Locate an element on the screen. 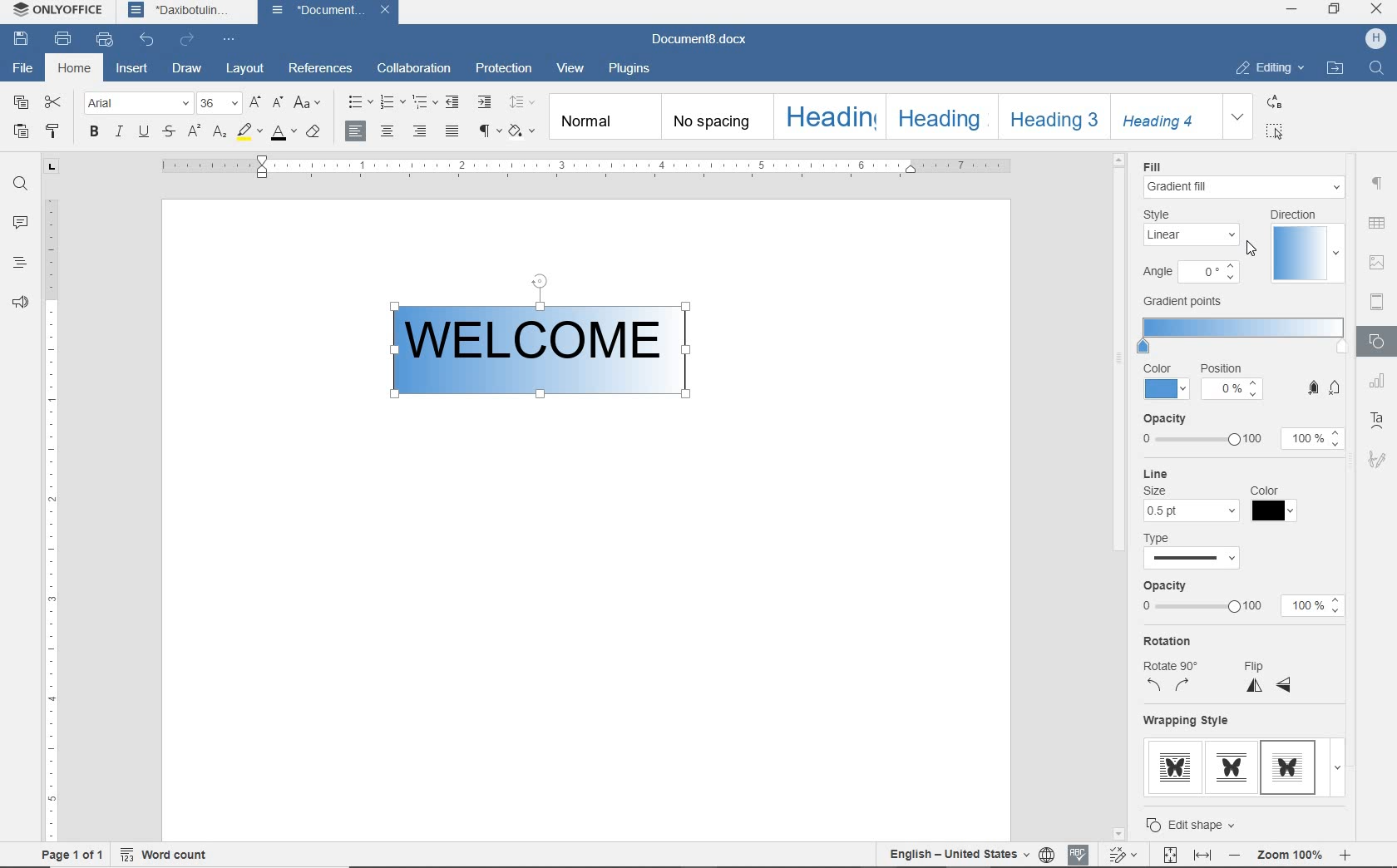 This screenshot has height=868, width=1397. Scroll bar is located at coordinates (1119, 360).